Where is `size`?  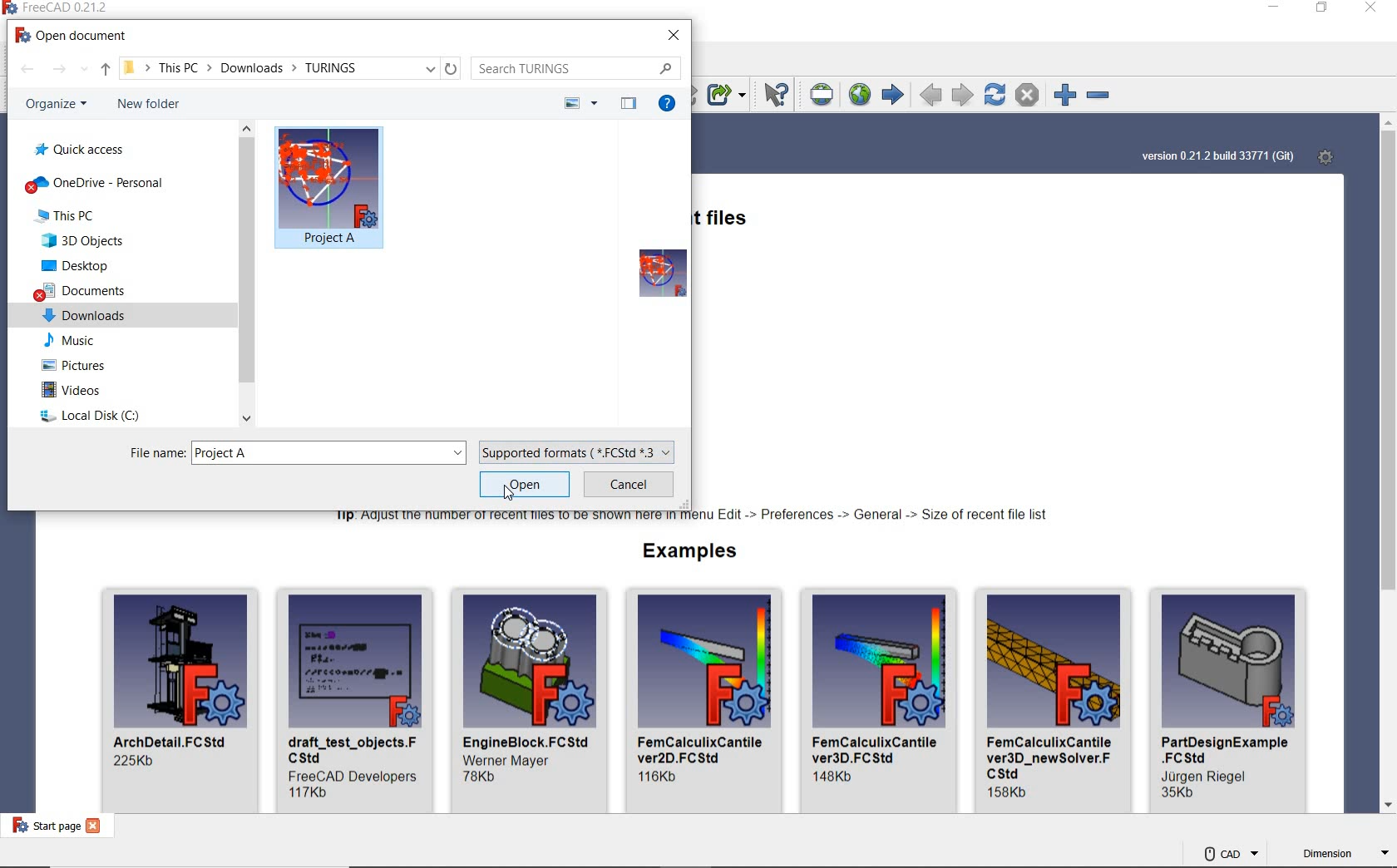
size is located at coordinates (482, 777).